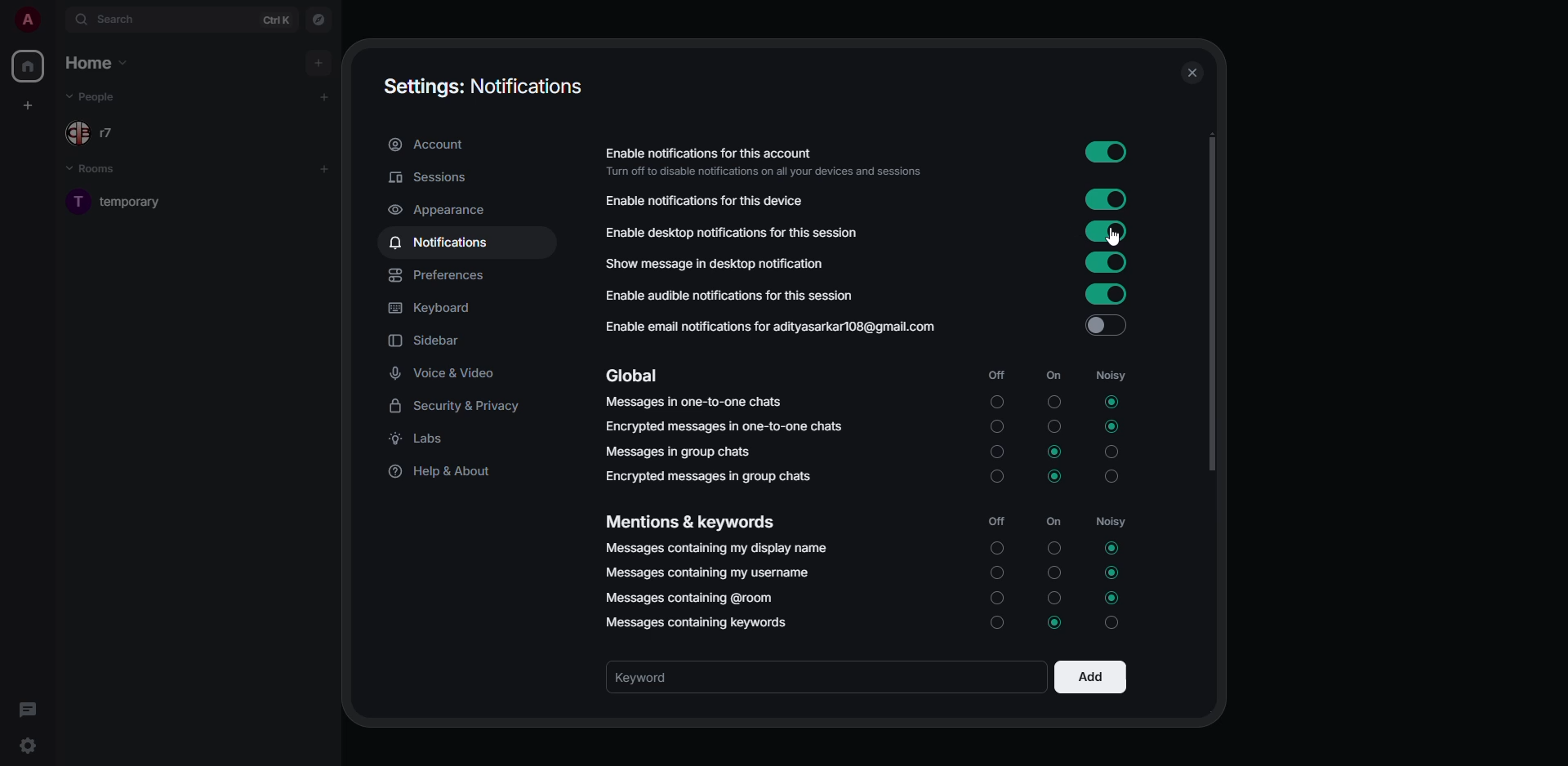 This screenshot has width=1568, height=766. Describe the element at coordinates (996, 596) in the screenshot. I see `Off Unselected` at that location.